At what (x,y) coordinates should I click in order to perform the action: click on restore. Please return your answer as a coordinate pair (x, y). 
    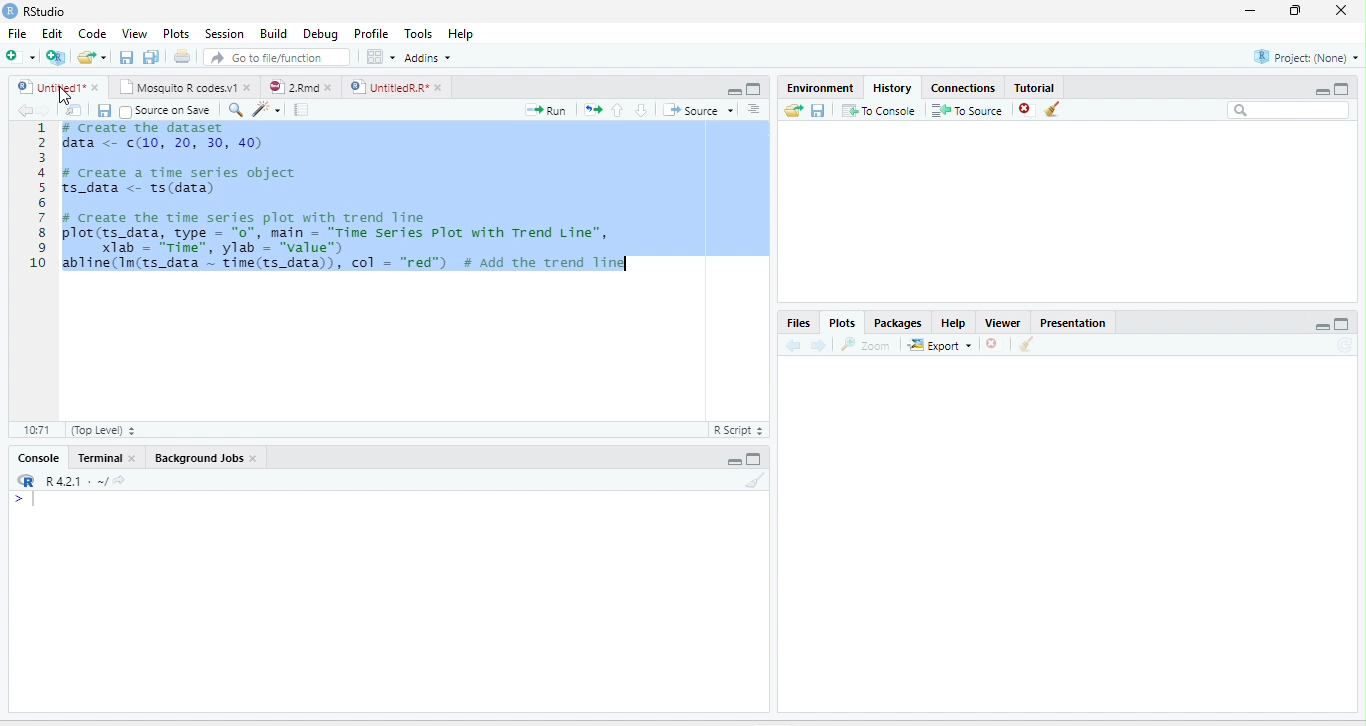
    Looking at the image, I should click on (1296, 11).